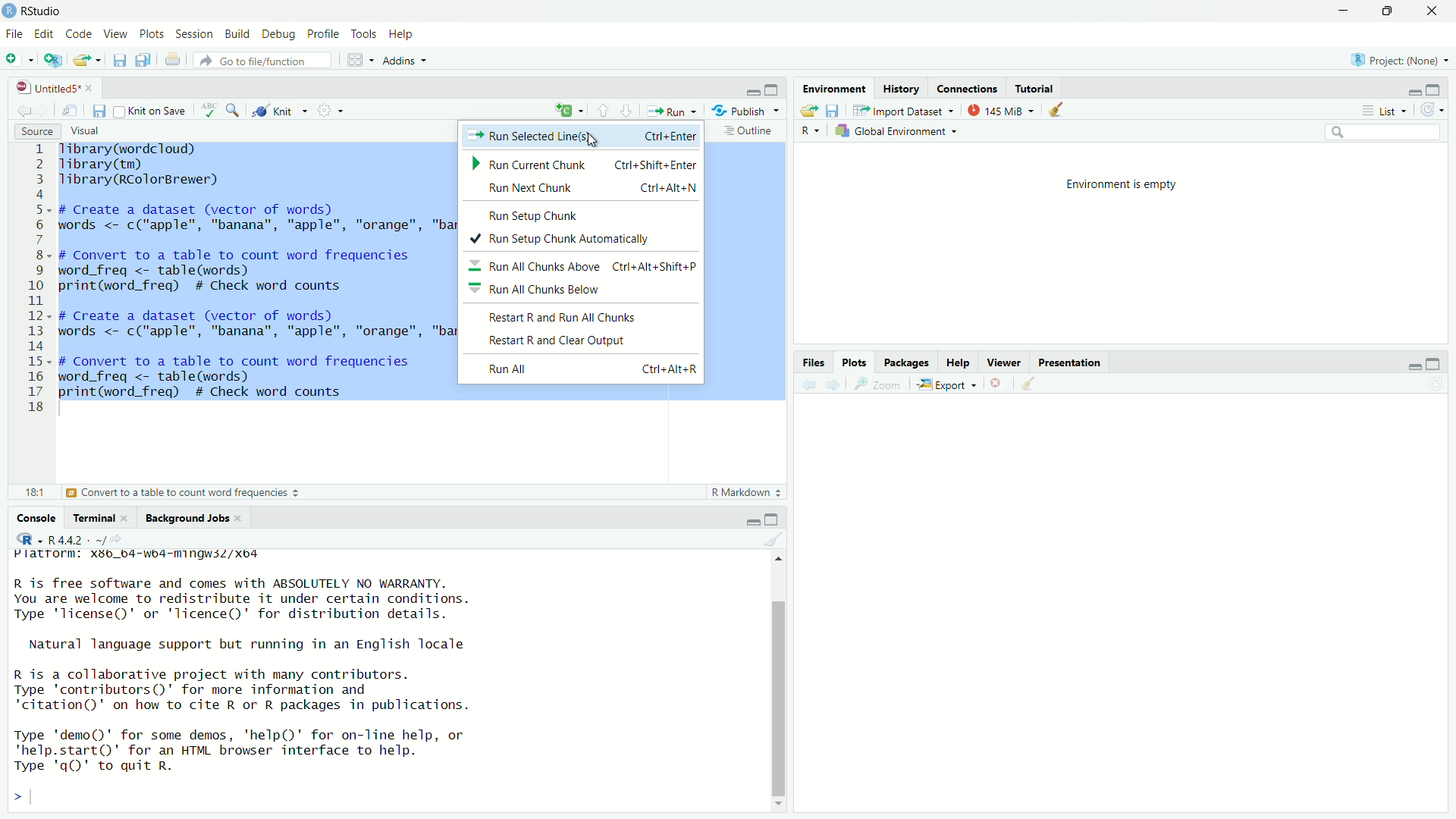 This screenshot has width=1456, height=819. I want to click on Clear Console, so click(1034, 383).